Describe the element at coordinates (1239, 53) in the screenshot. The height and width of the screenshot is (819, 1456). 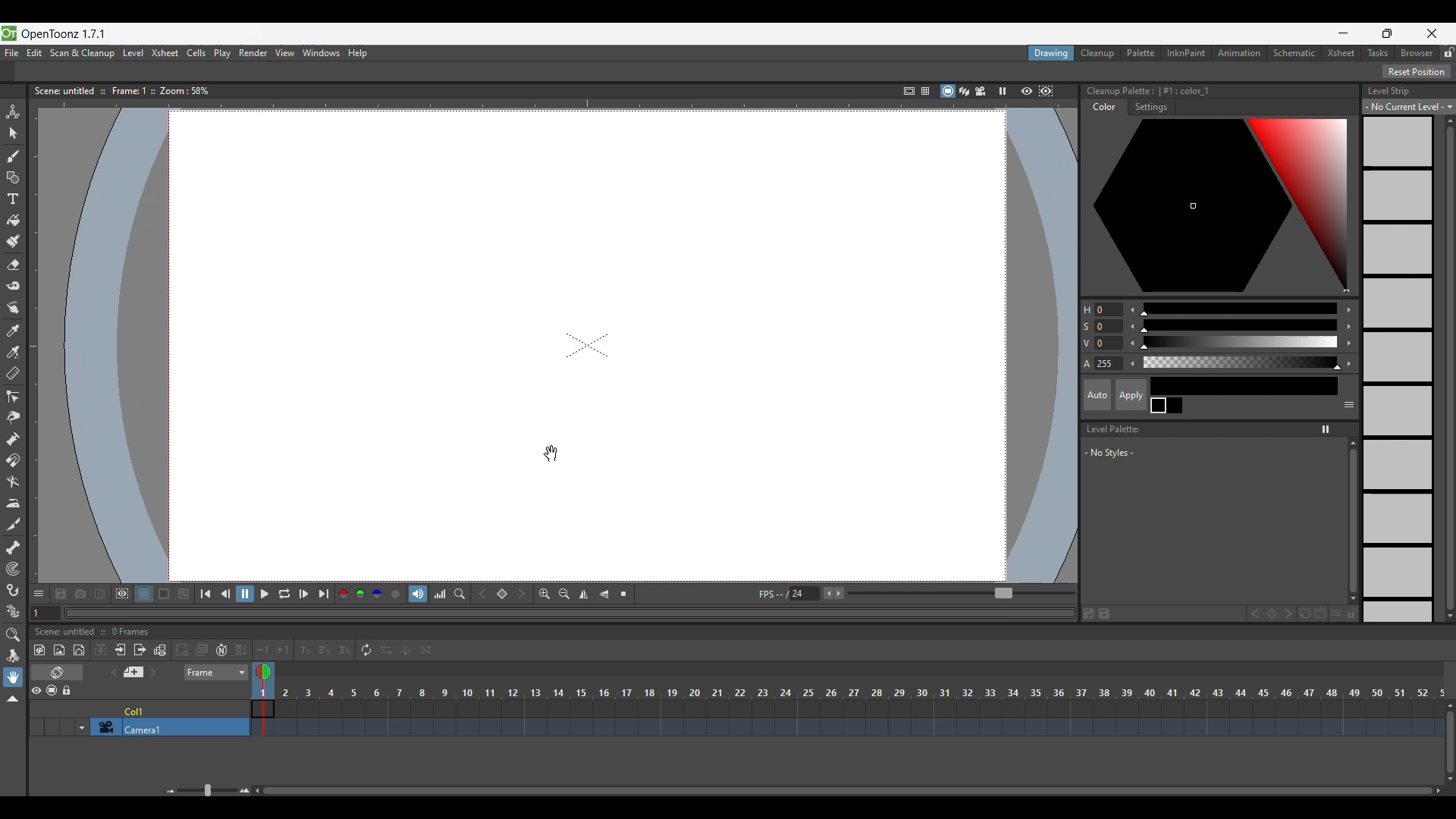
I see `Animation` at that location.